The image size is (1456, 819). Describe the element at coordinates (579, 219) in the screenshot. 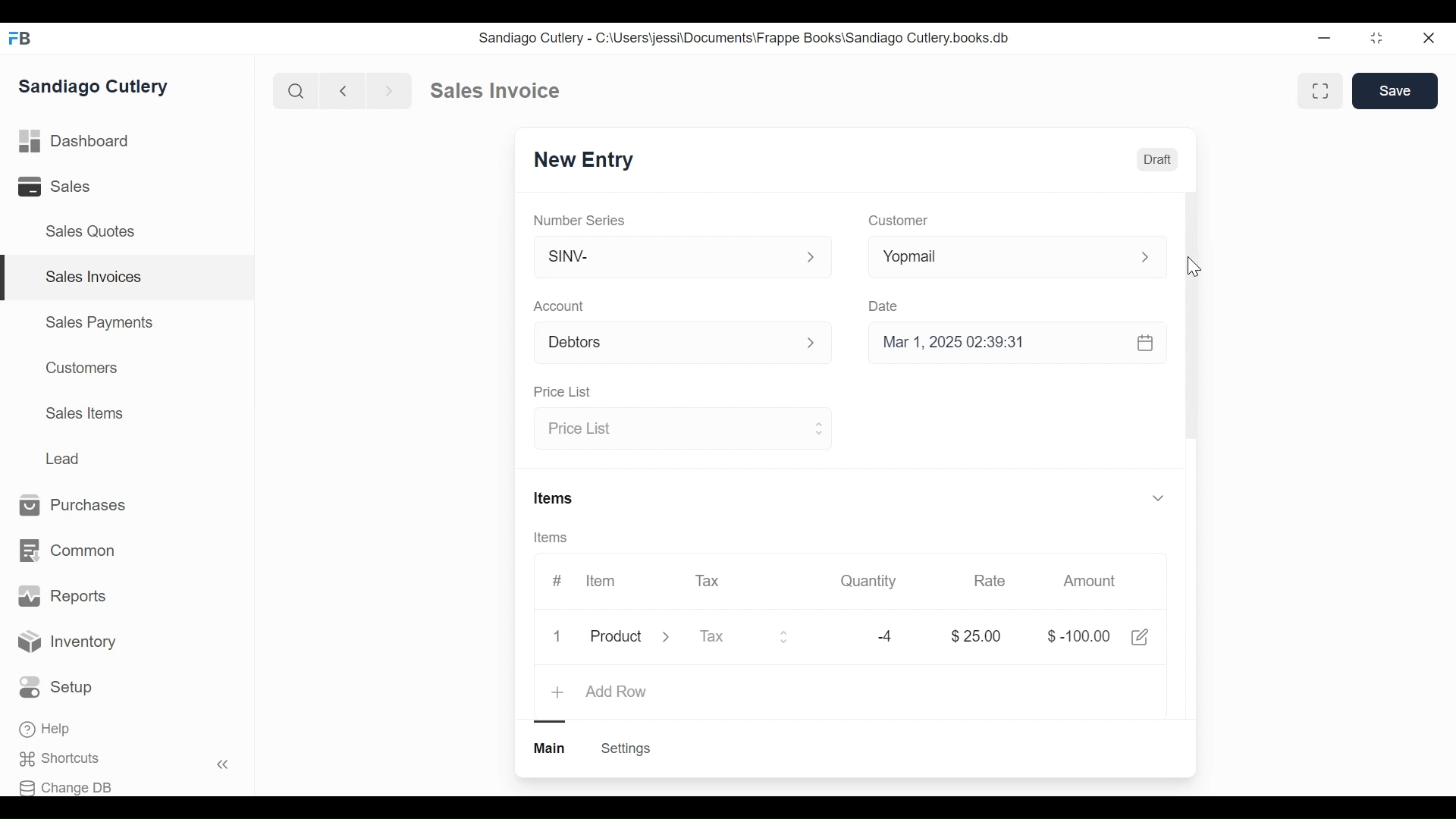

I see `Number Series` at that location.